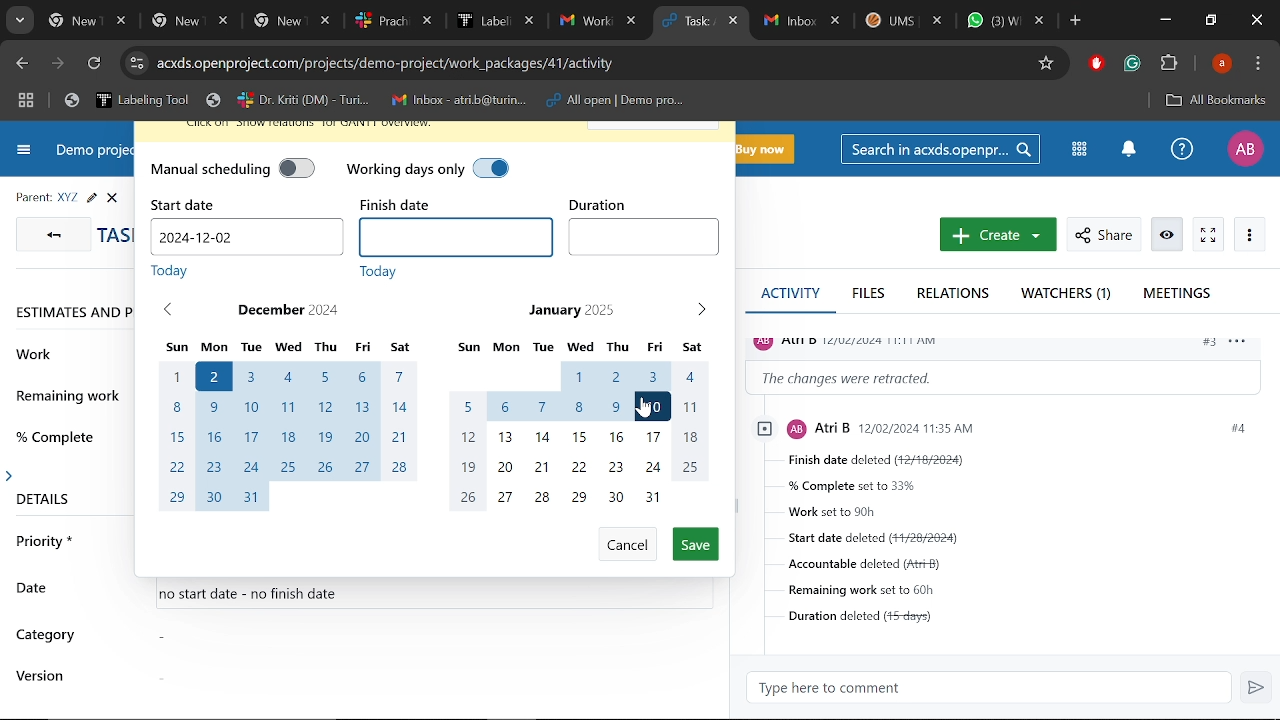 This screenshot has height=720, width=1280. I want to click on today, so click(176, 271).